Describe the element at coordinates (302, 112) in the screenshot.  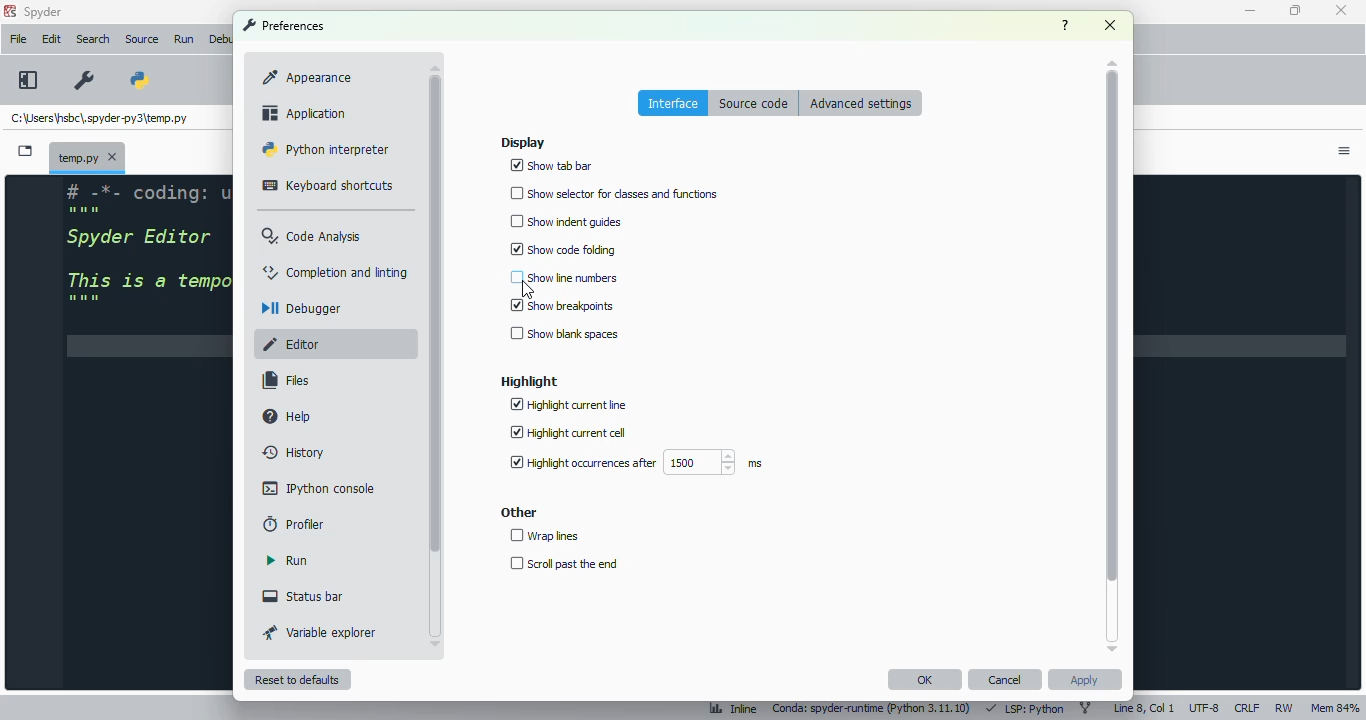
I see `application ` at that location.